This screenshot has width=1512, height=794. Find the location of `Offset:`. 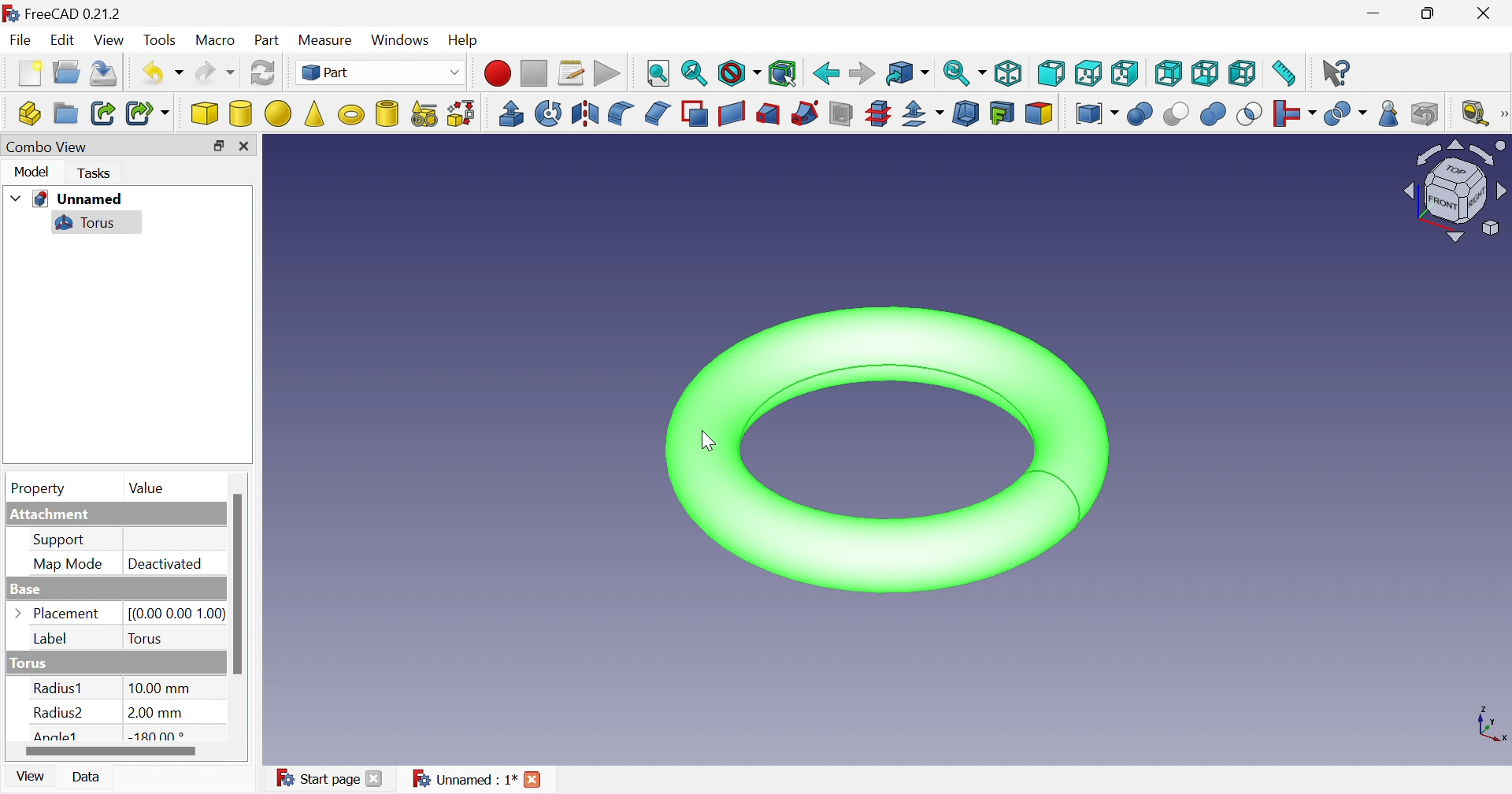

Offset: is located at coordinates (924, 114).